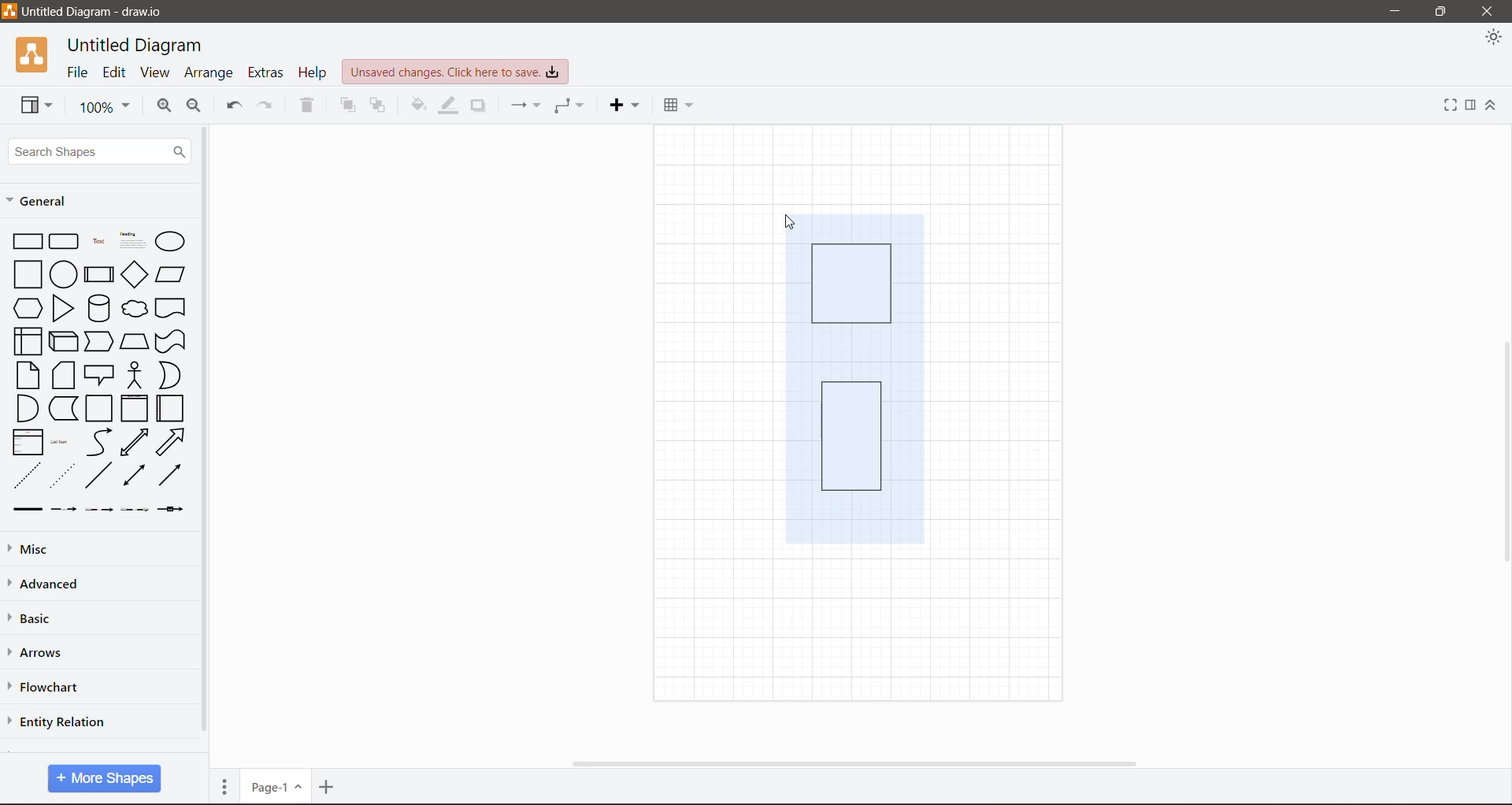 Image resolution: width=1512 pixels, height=805 pixels. I want to click on Waypoints, so click(569, 107).